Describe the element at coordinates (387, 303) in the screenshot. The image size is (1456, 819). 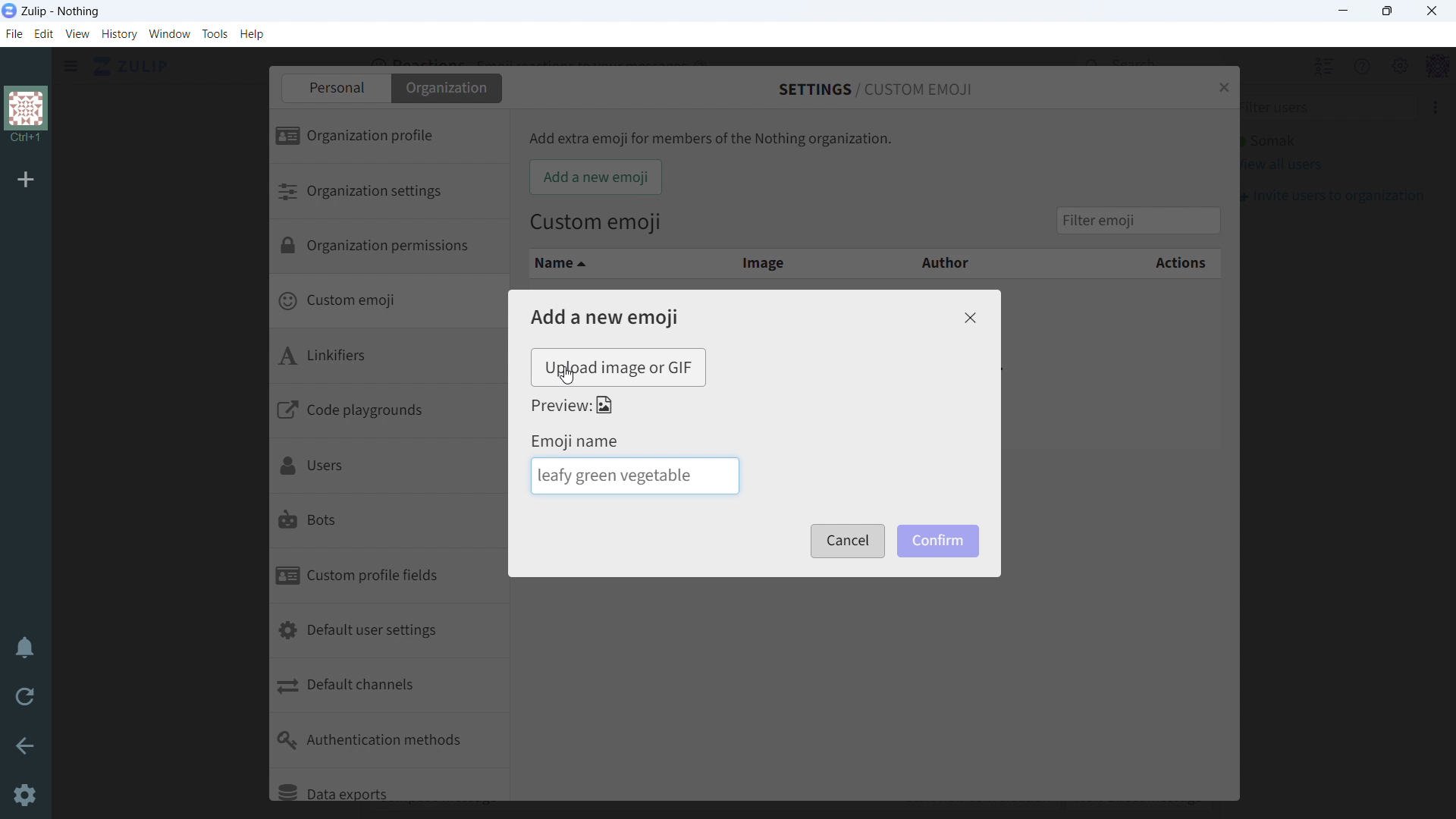
I see `custom emoji` at that location.